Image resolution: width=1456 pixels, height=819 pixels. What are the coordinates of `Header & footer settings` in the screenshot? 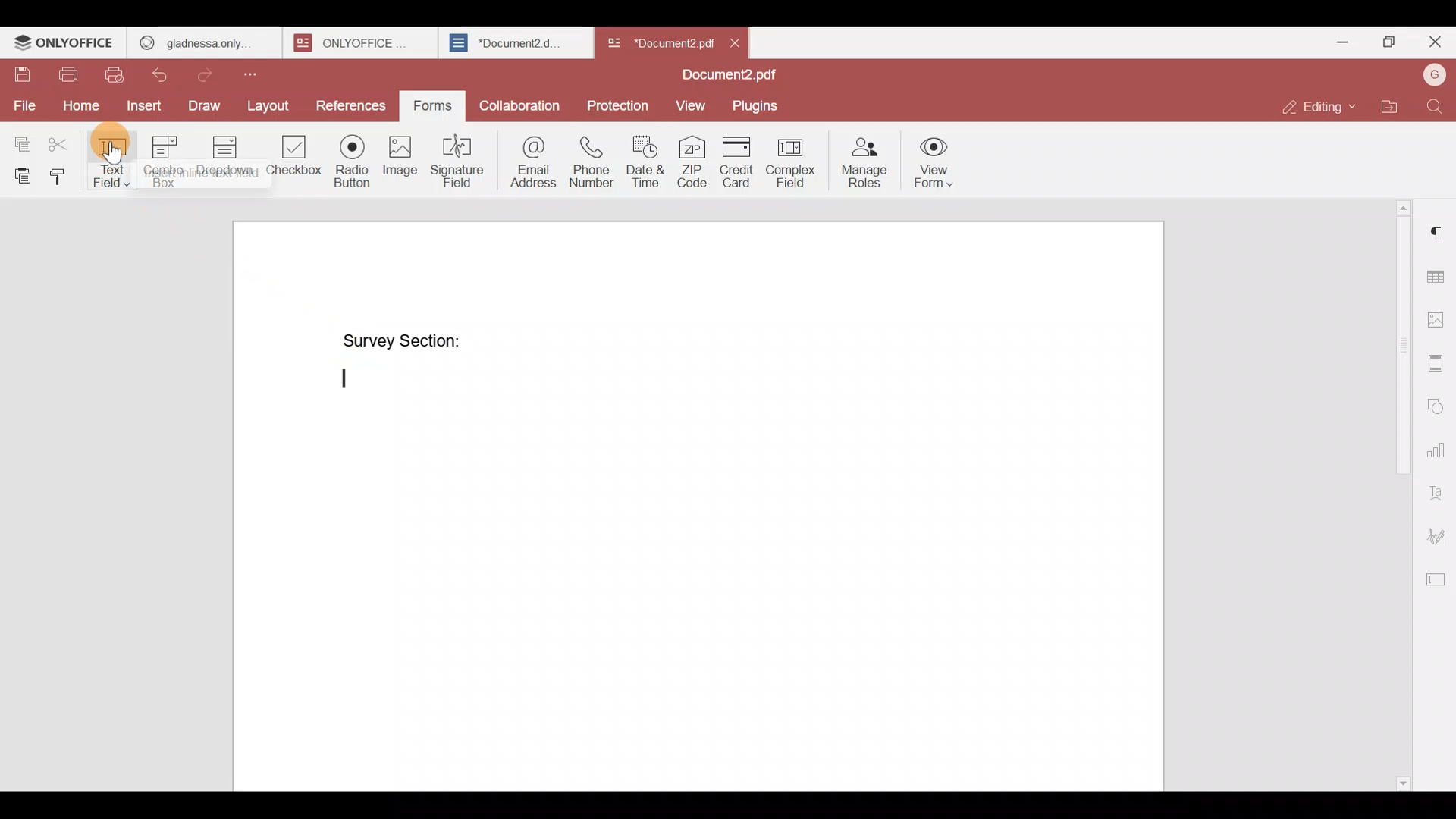 It's located at (1439, 367).